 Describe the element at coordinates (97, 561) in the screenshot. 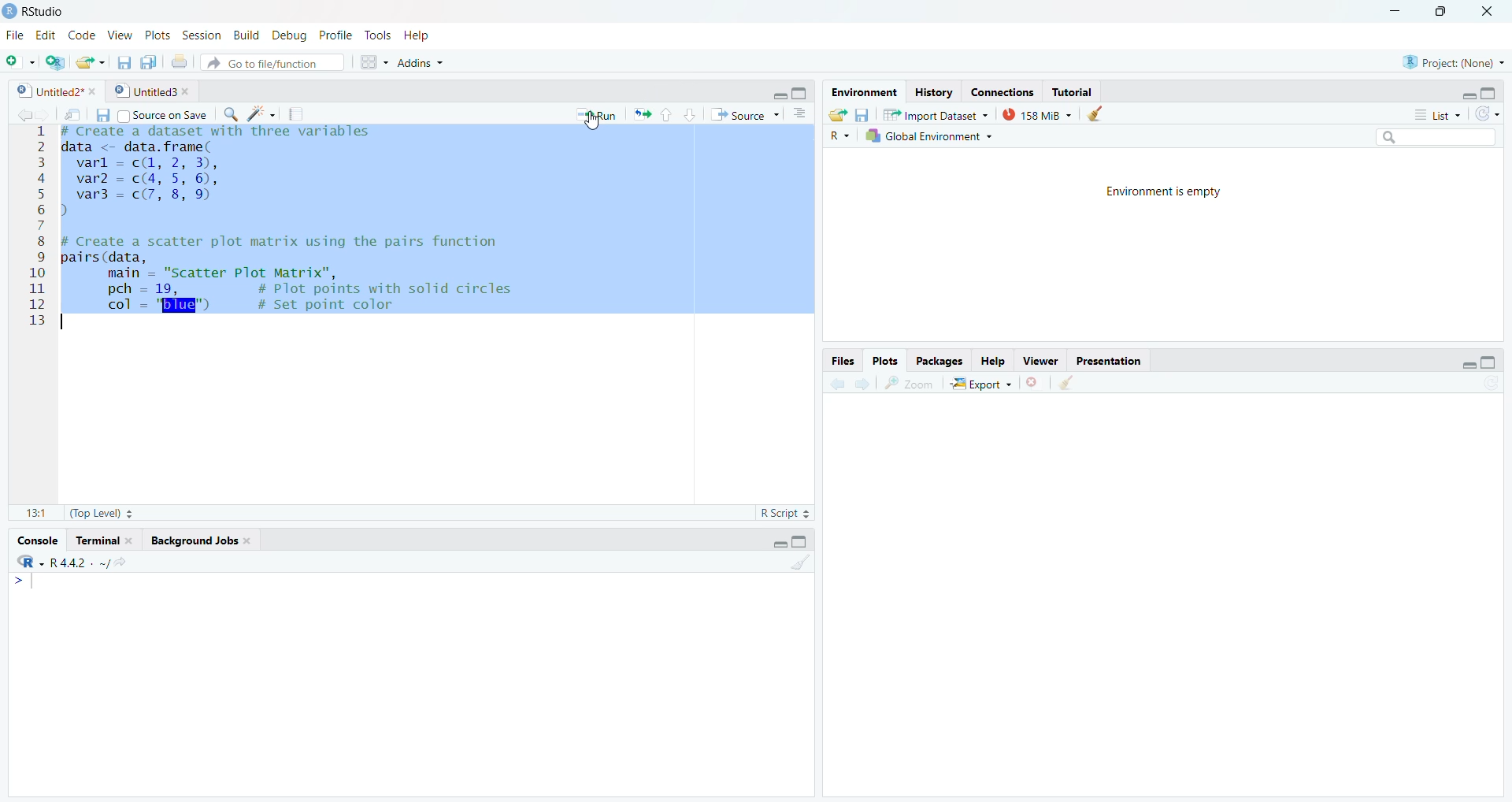

I see `R442 - ~/` at that location.